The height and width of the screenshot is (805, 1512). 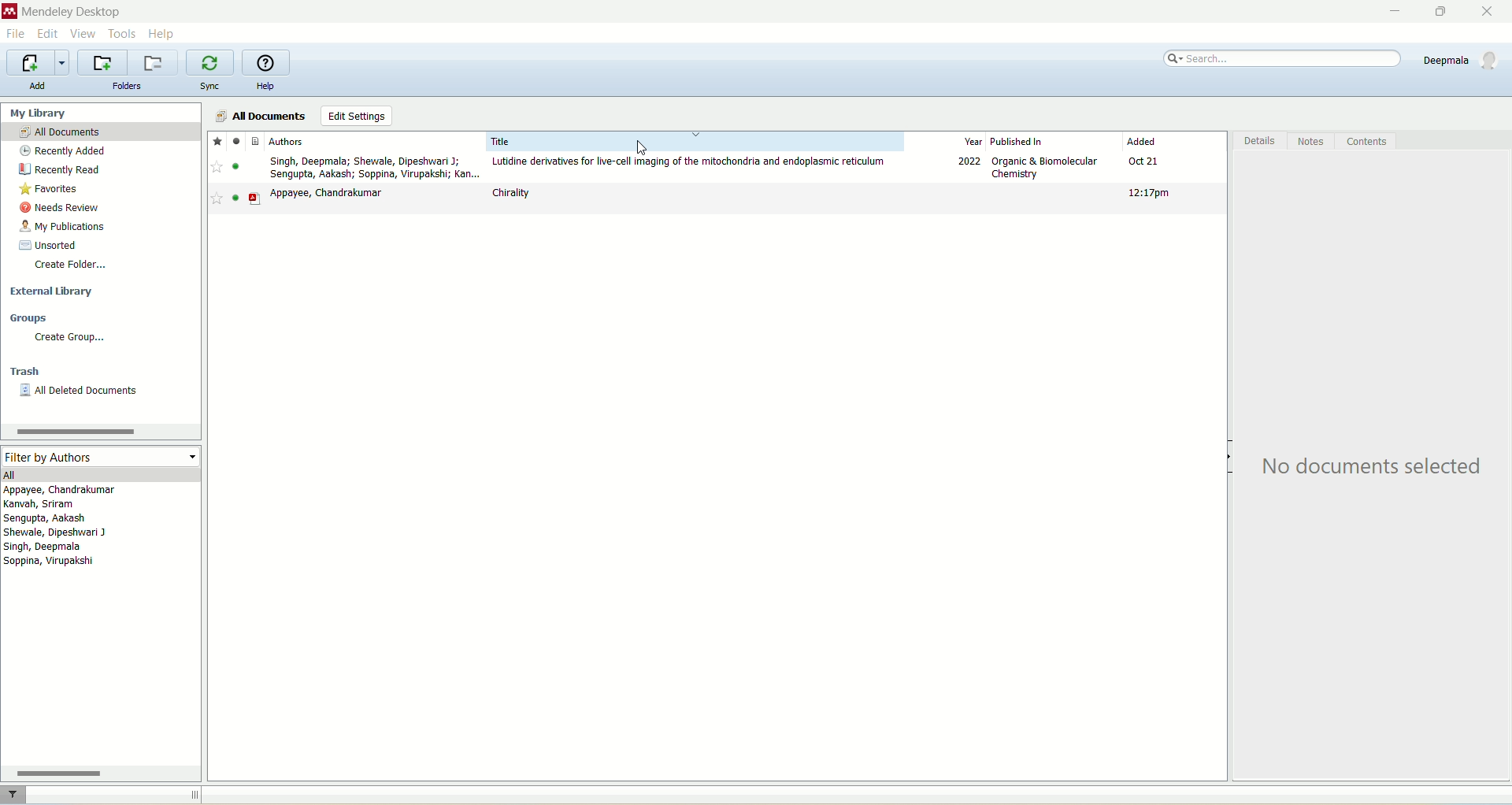 What do you see at coordinates (264, 87) in the screenshot?
I see `help` at bounding box center [264, 87].